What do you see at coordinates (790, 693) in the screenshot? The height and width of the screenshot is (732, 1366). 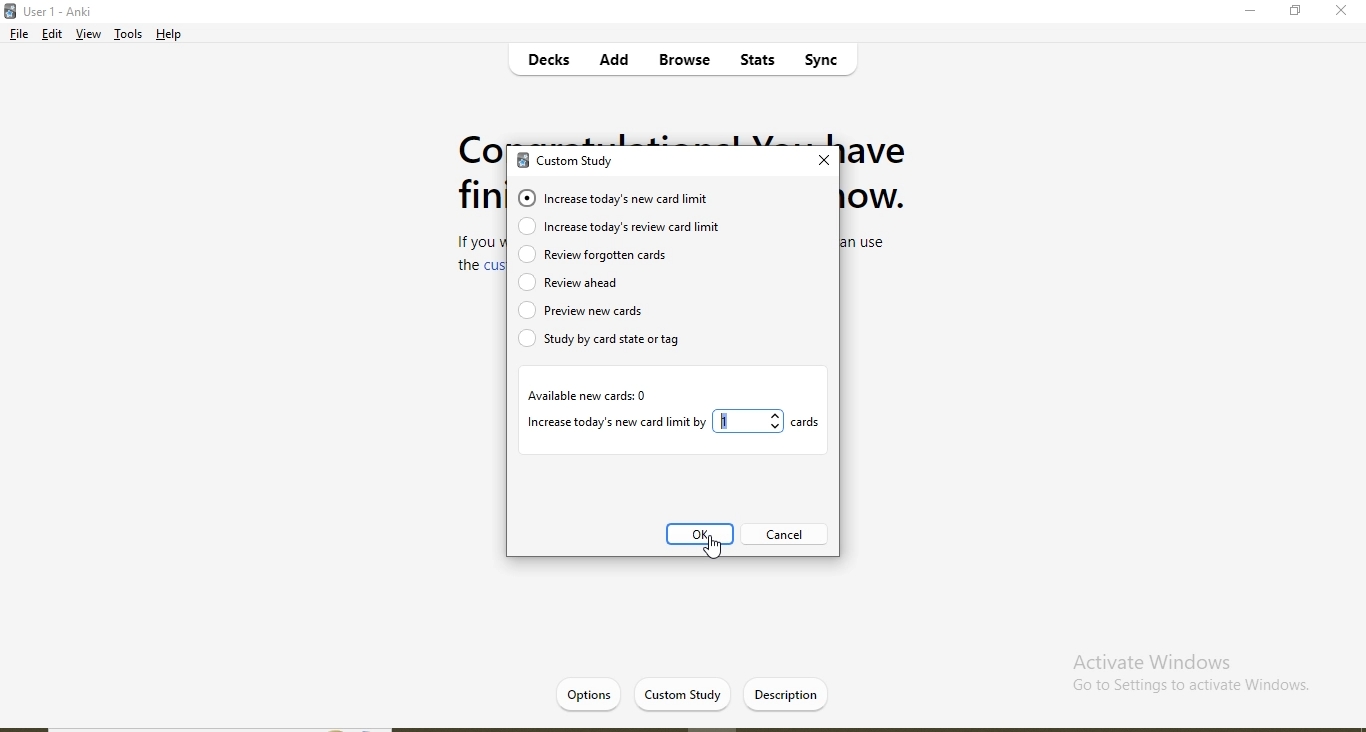 I see `import file` at bounding box center [790, 693].